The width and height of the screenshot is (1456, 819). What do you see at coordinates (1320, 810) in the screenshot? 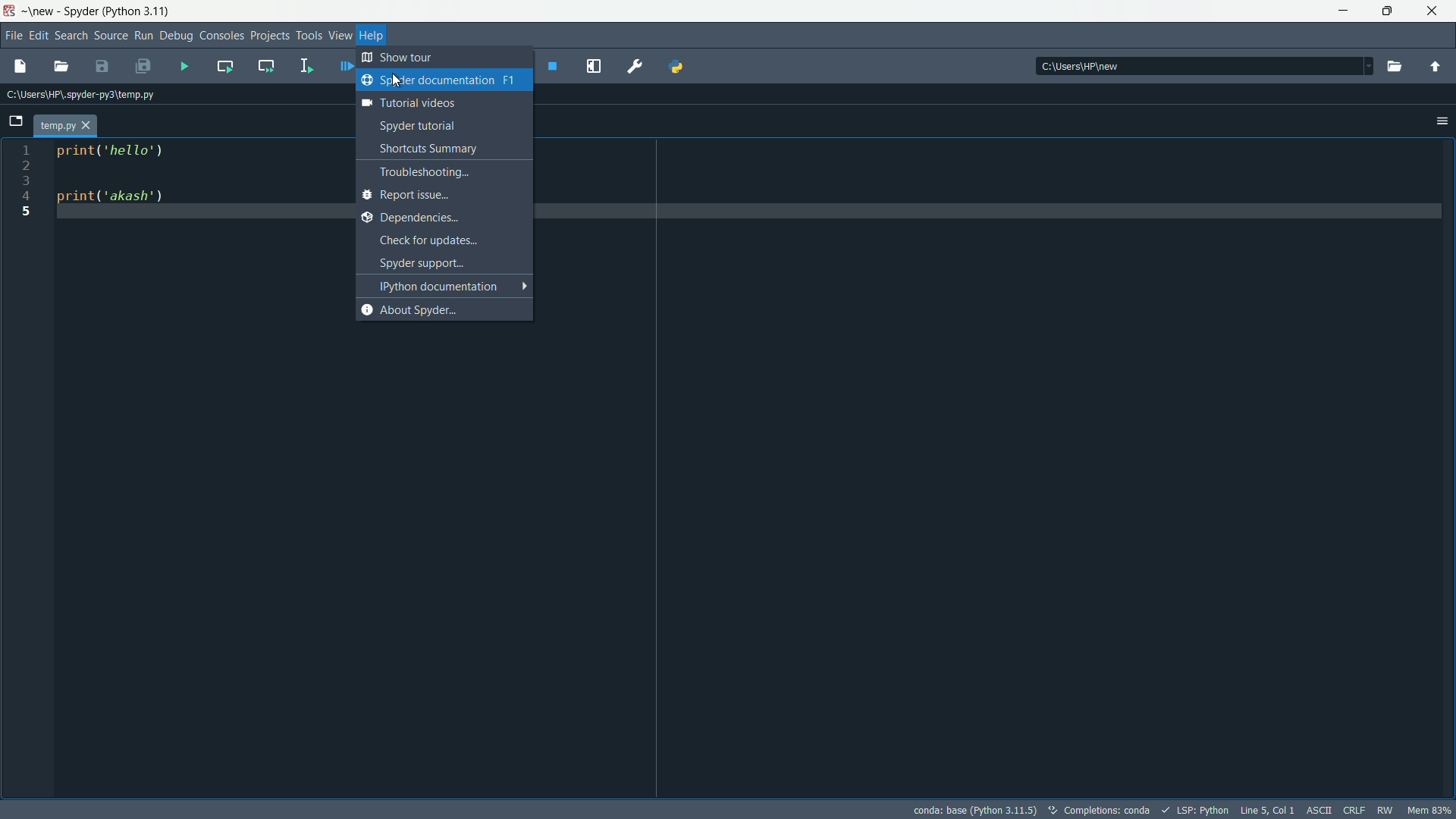
I see `ASCII` at bounding box center [1320, 810].